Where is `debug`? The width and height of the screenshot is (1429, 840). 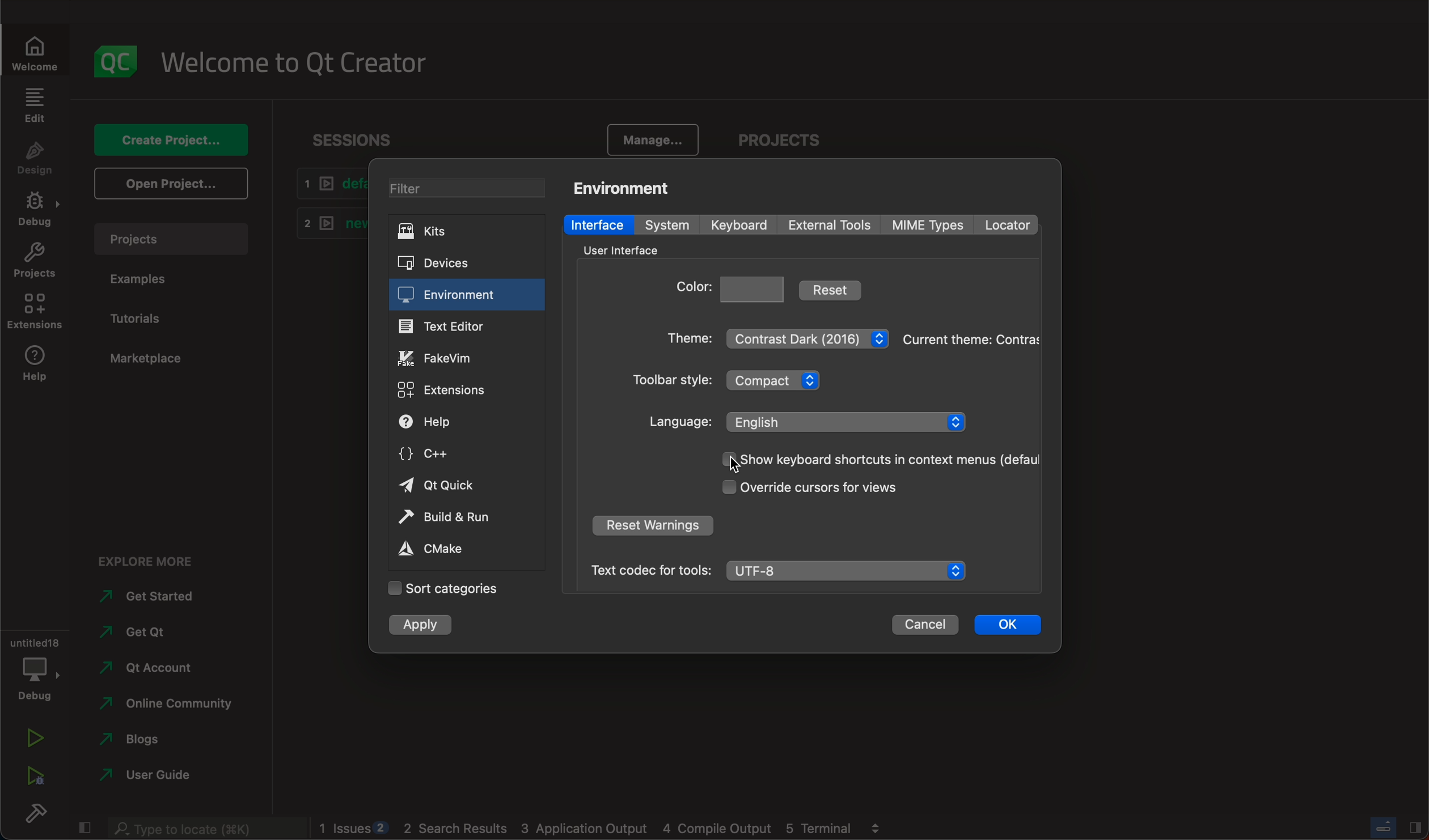 debug is located at coordinates (33, 210).